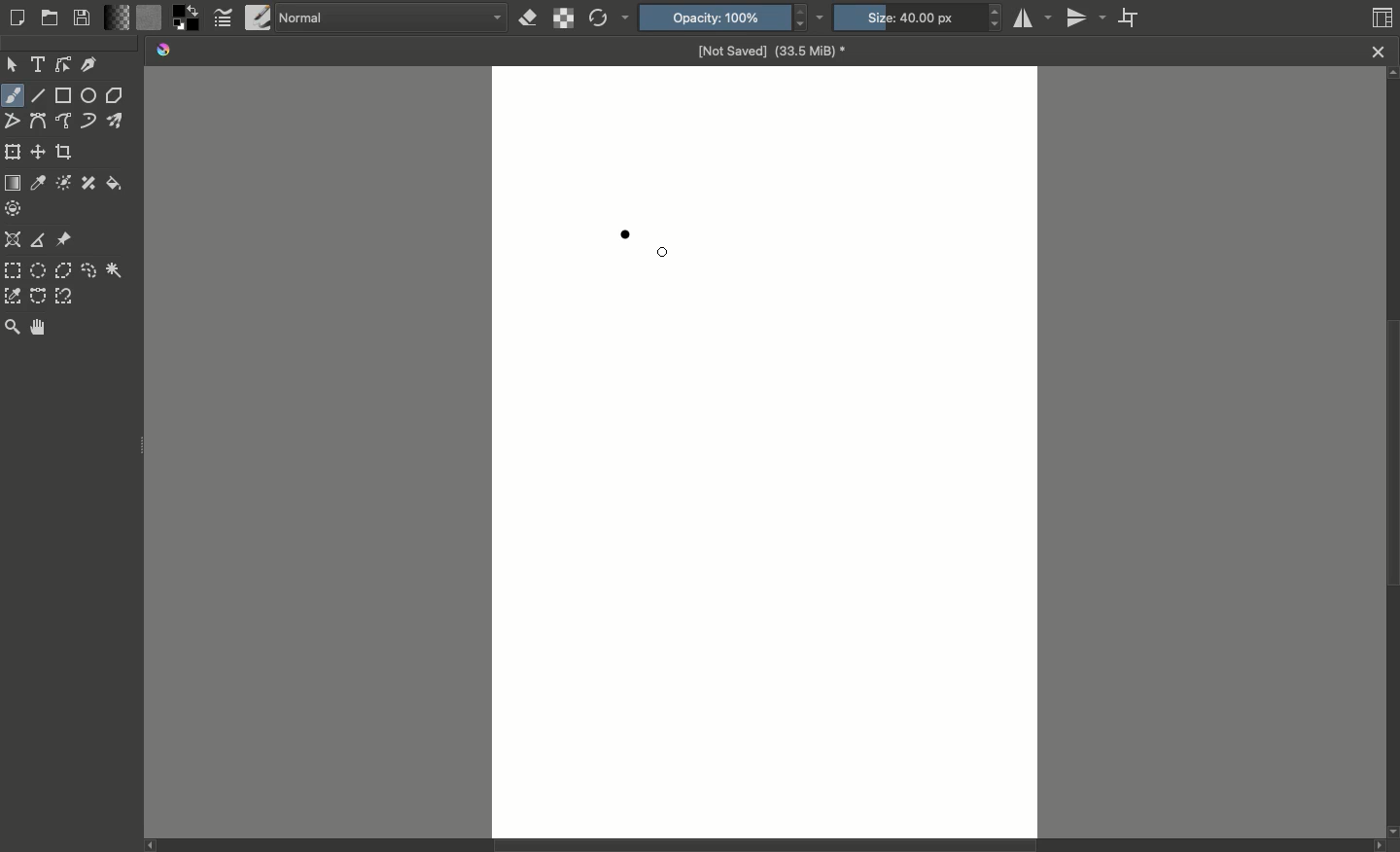 The image size is (1400, 852). What do you see at coordinates (38, 122) in the screenshot?
I see `Bezier curve` at bounding box center [38, 122].